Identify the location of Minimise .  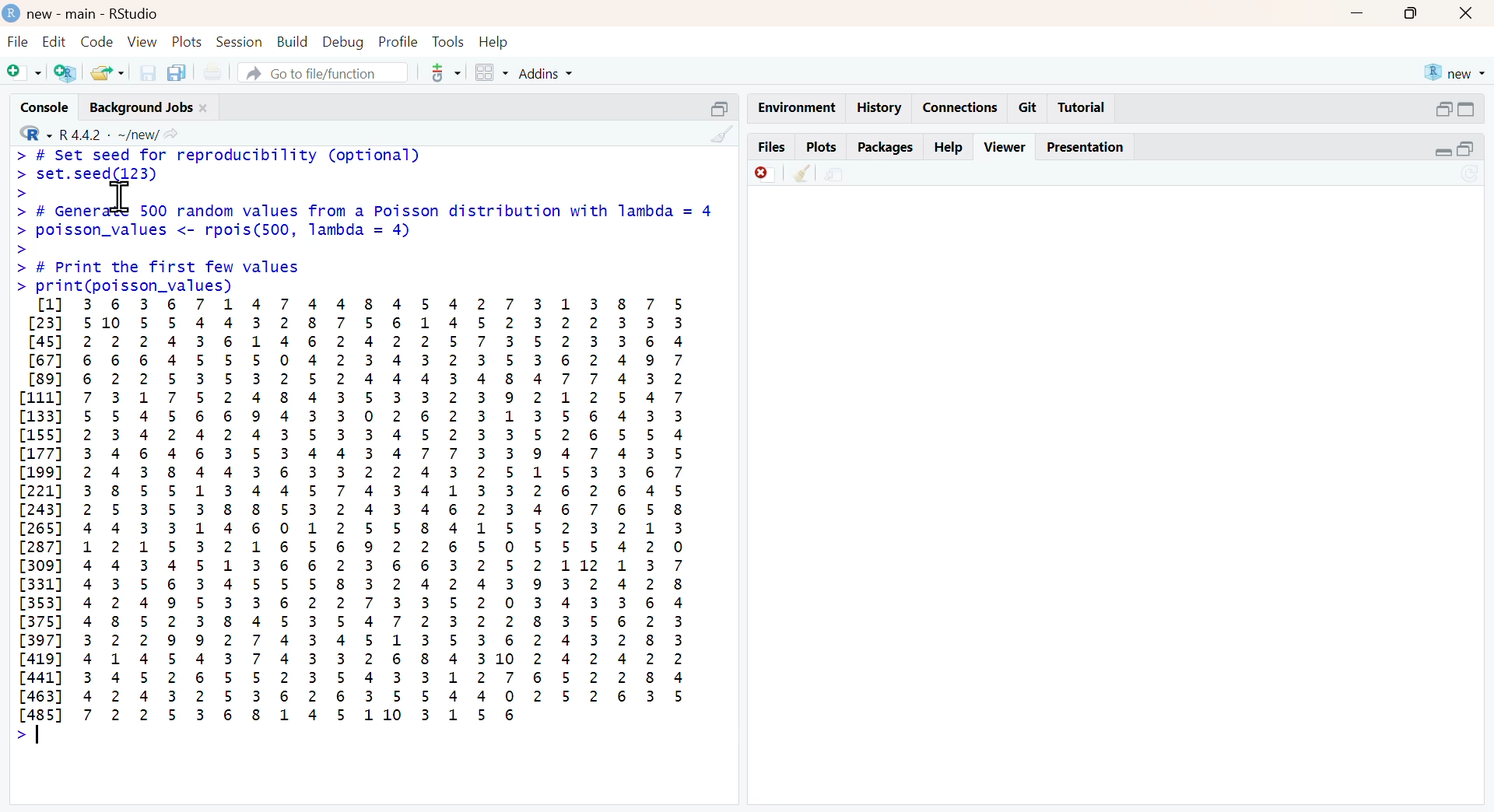
(1360, 12).